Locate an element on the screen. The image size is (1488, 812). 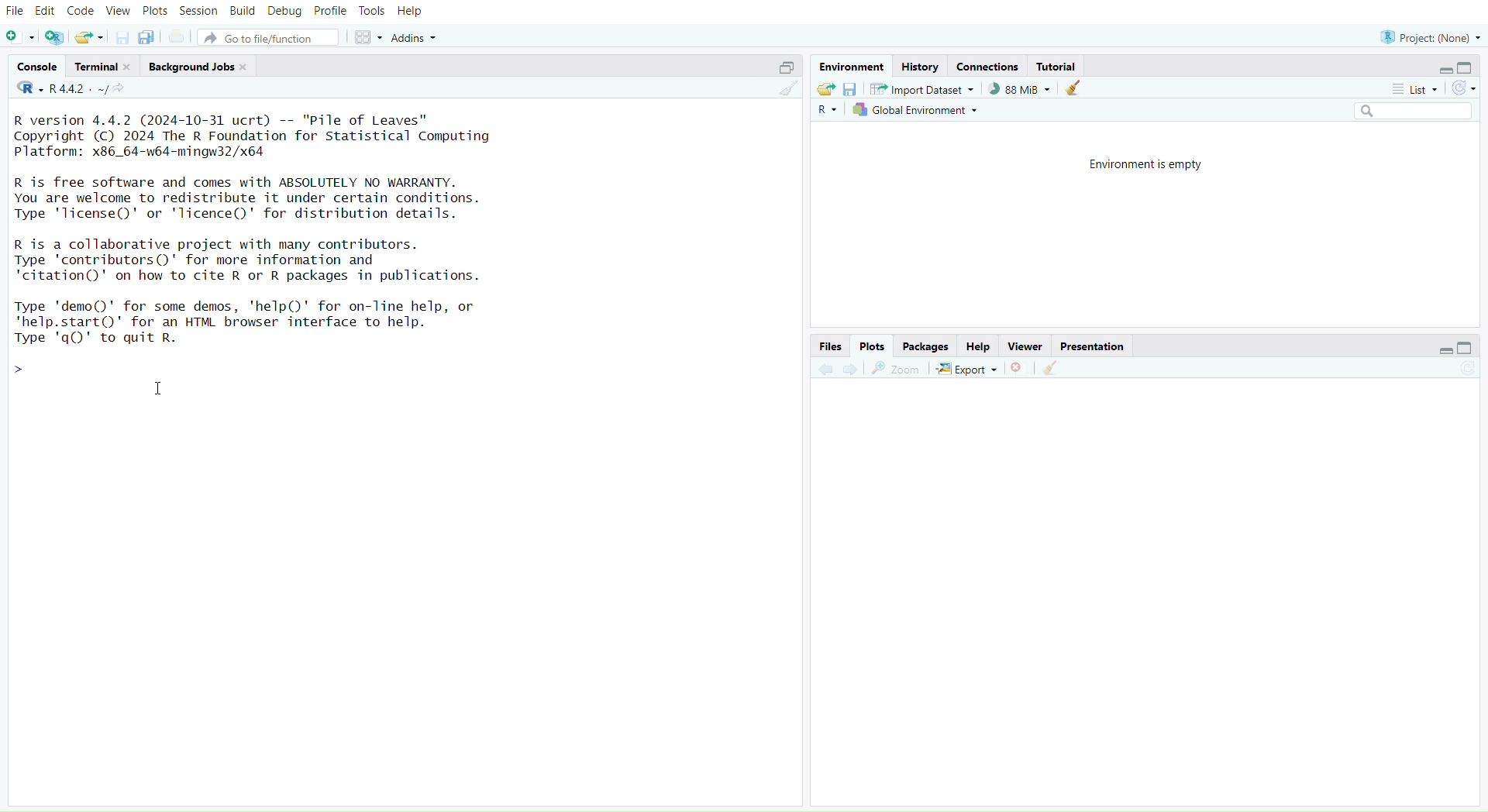
console is located at coordinates (40, 67).